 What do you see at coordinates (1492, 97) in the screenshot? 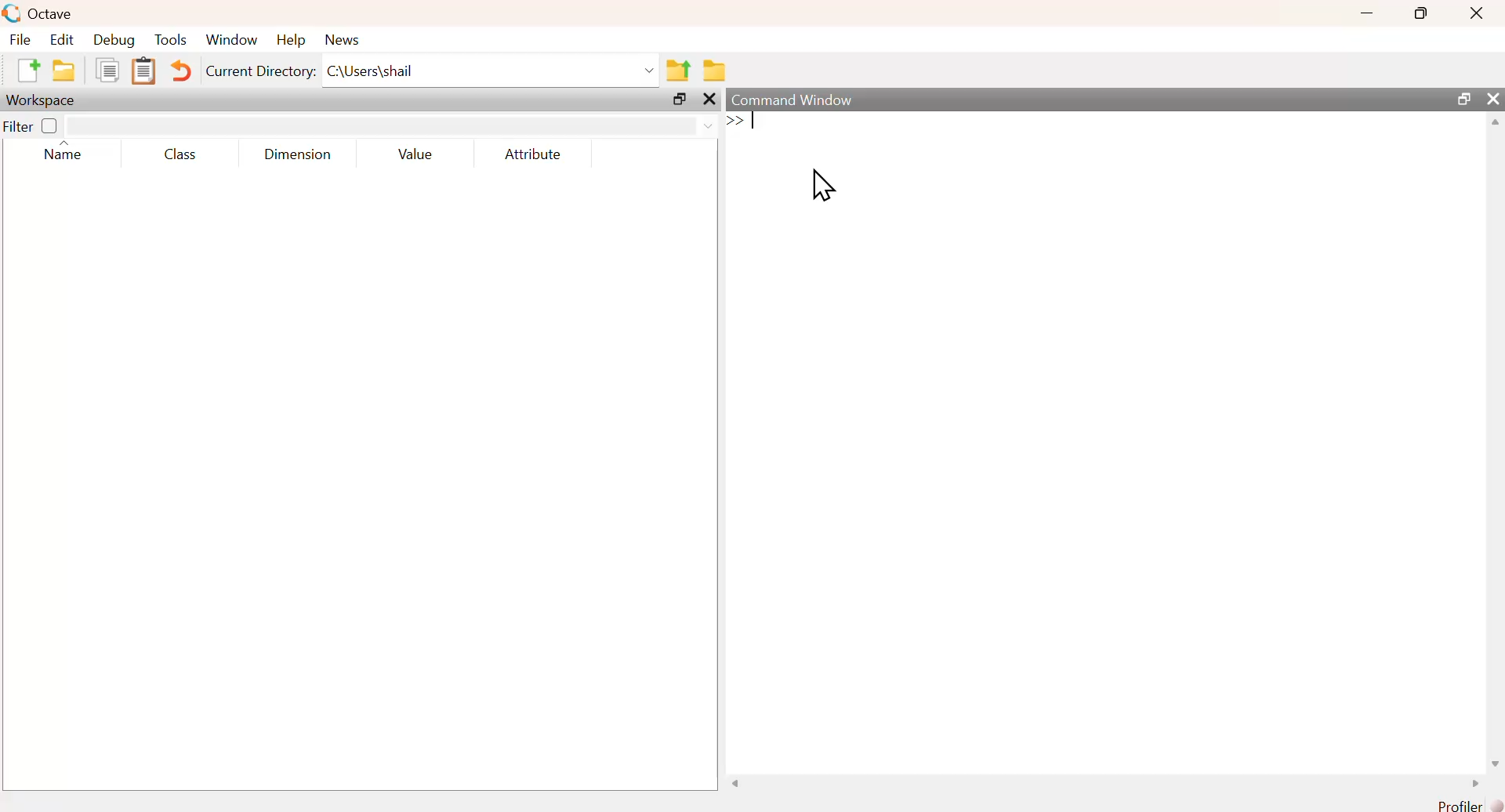
I see `close` at bounding box center [1492, 97].